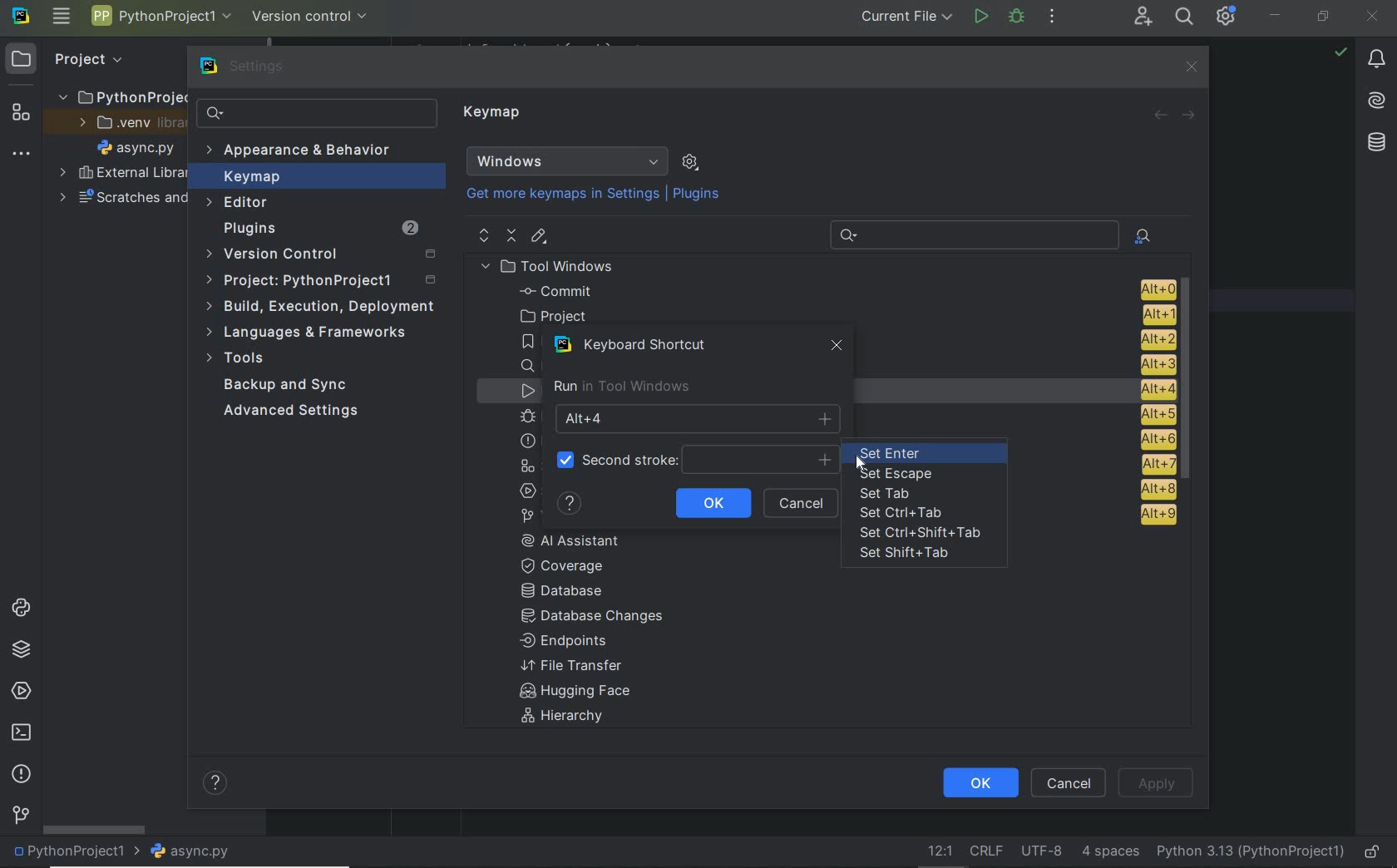  I want to click on structure, so click(18, 111).